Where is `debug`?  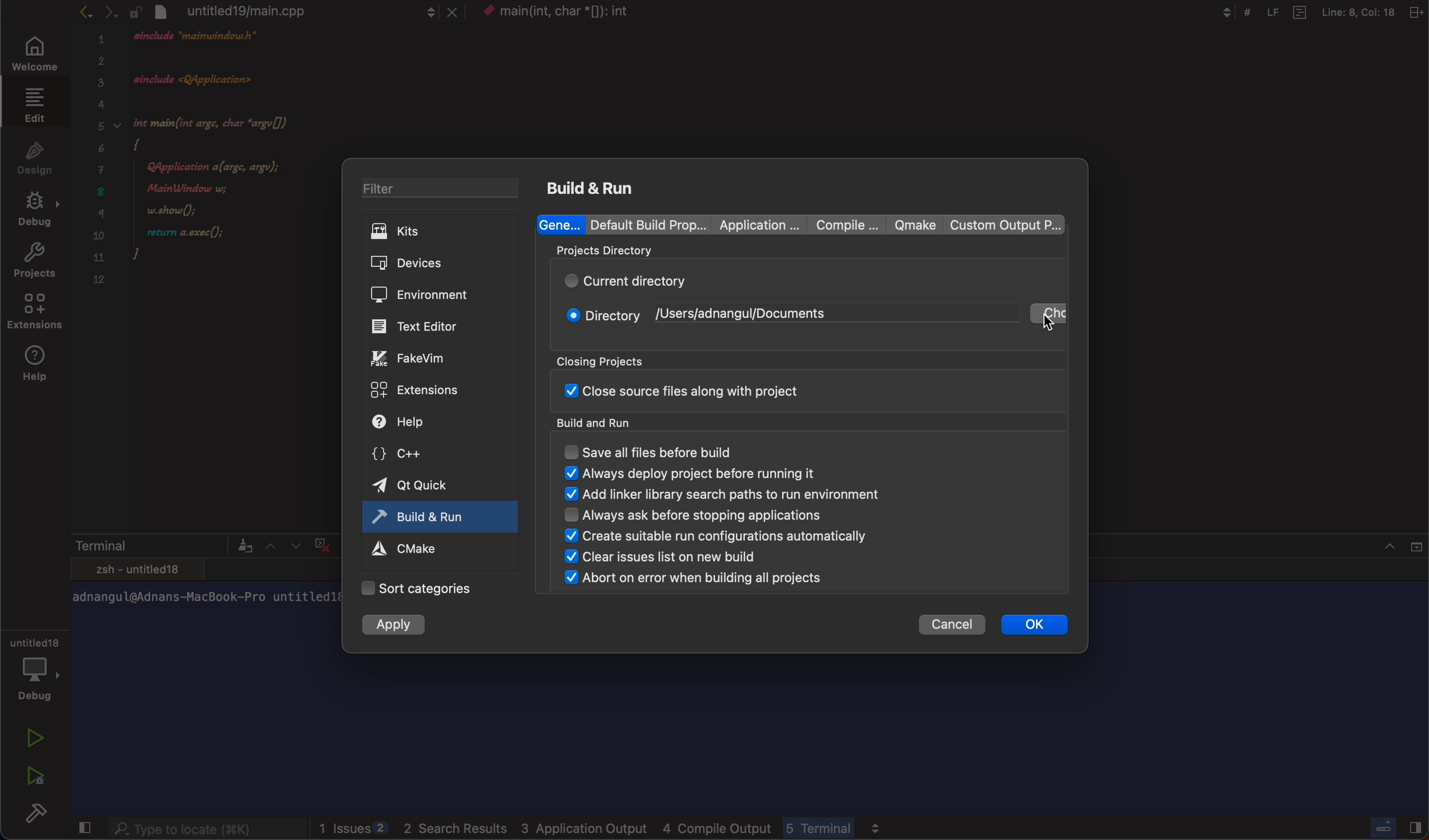 debug is located at coordinates (39, 668).